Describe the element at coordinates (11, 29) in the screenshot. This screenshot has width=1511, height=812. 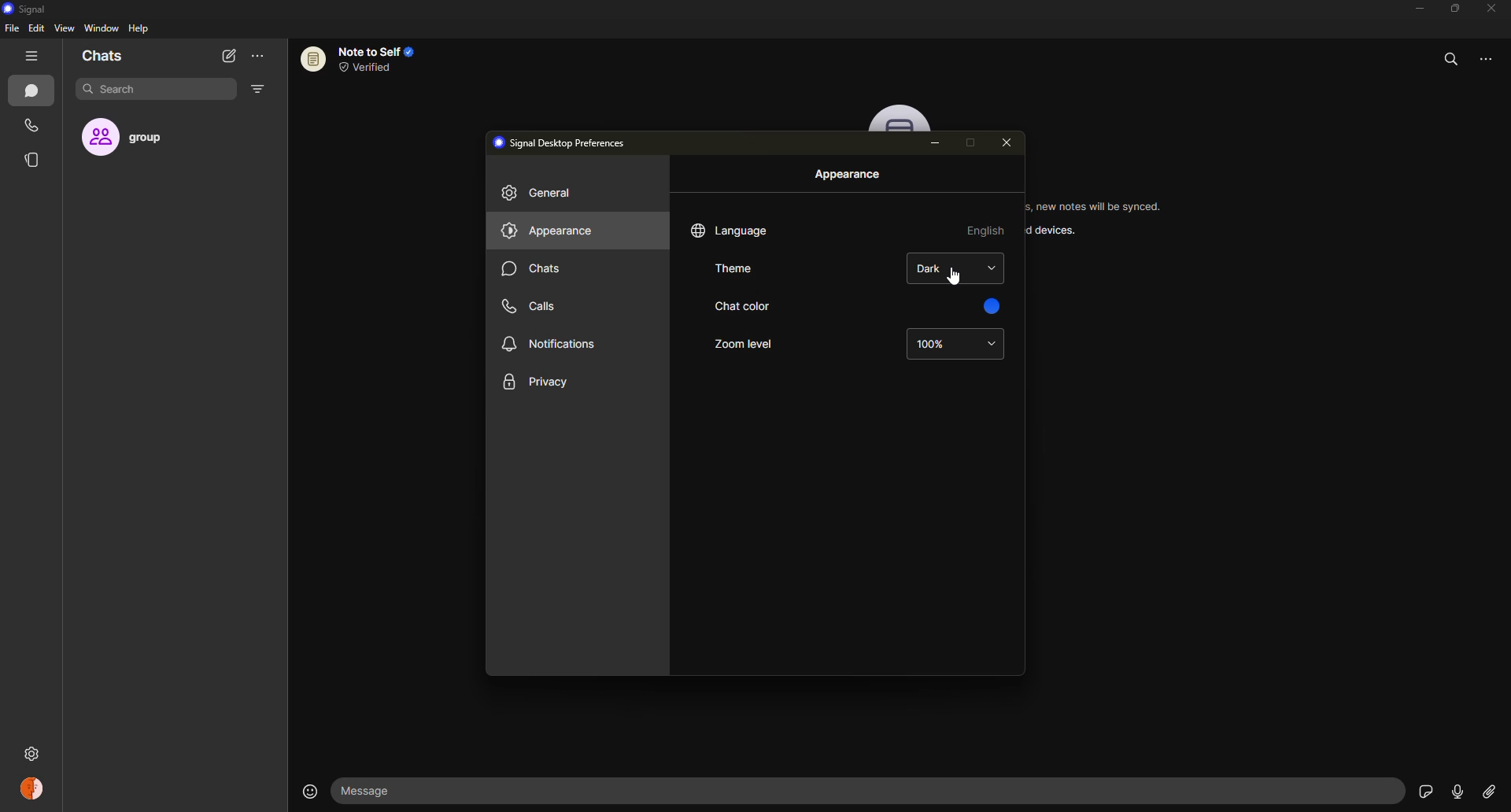
I see `file` at that location.